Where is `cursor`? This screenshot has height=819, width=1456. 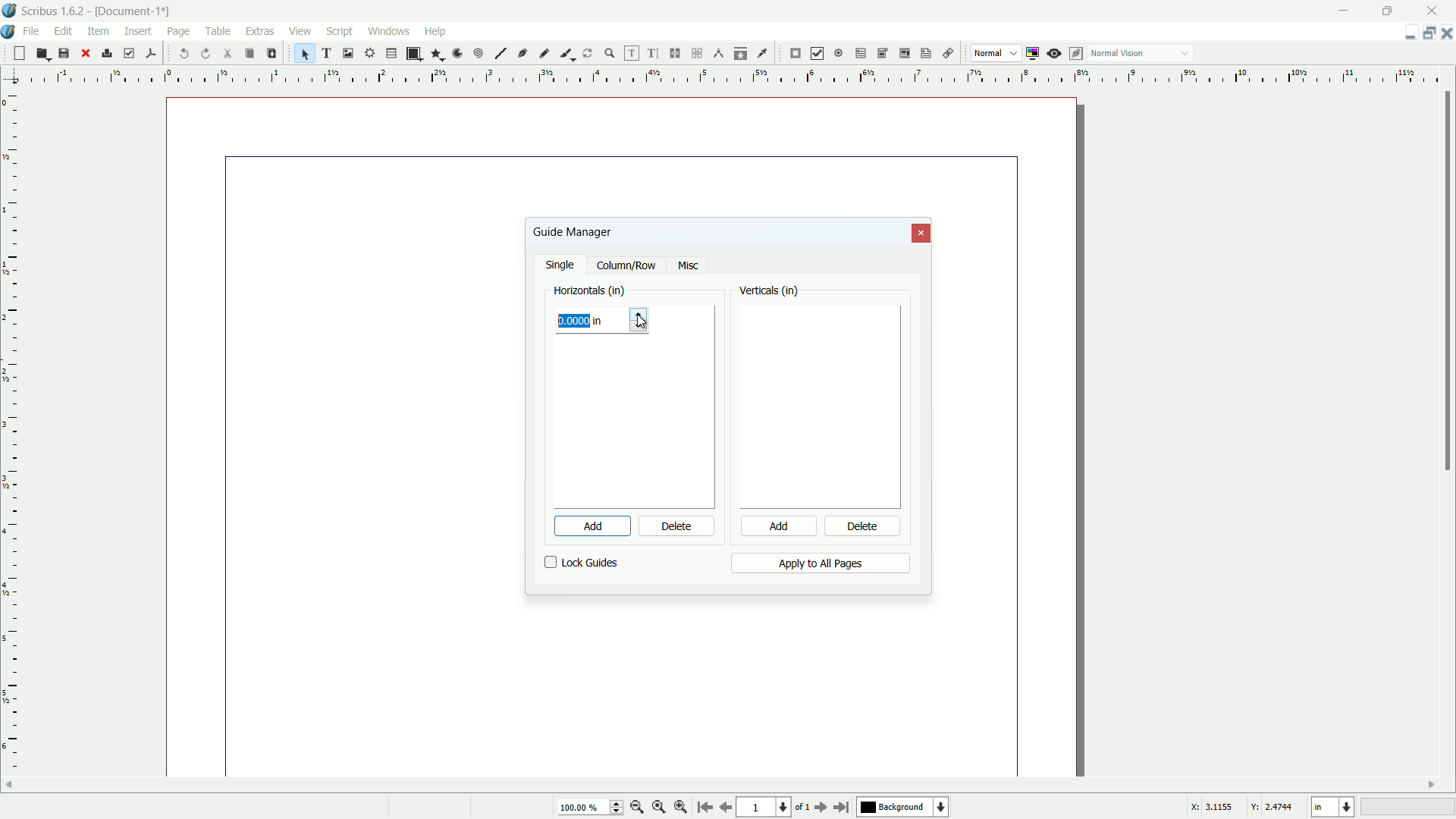 cursor is located at coordinates (629, 528).